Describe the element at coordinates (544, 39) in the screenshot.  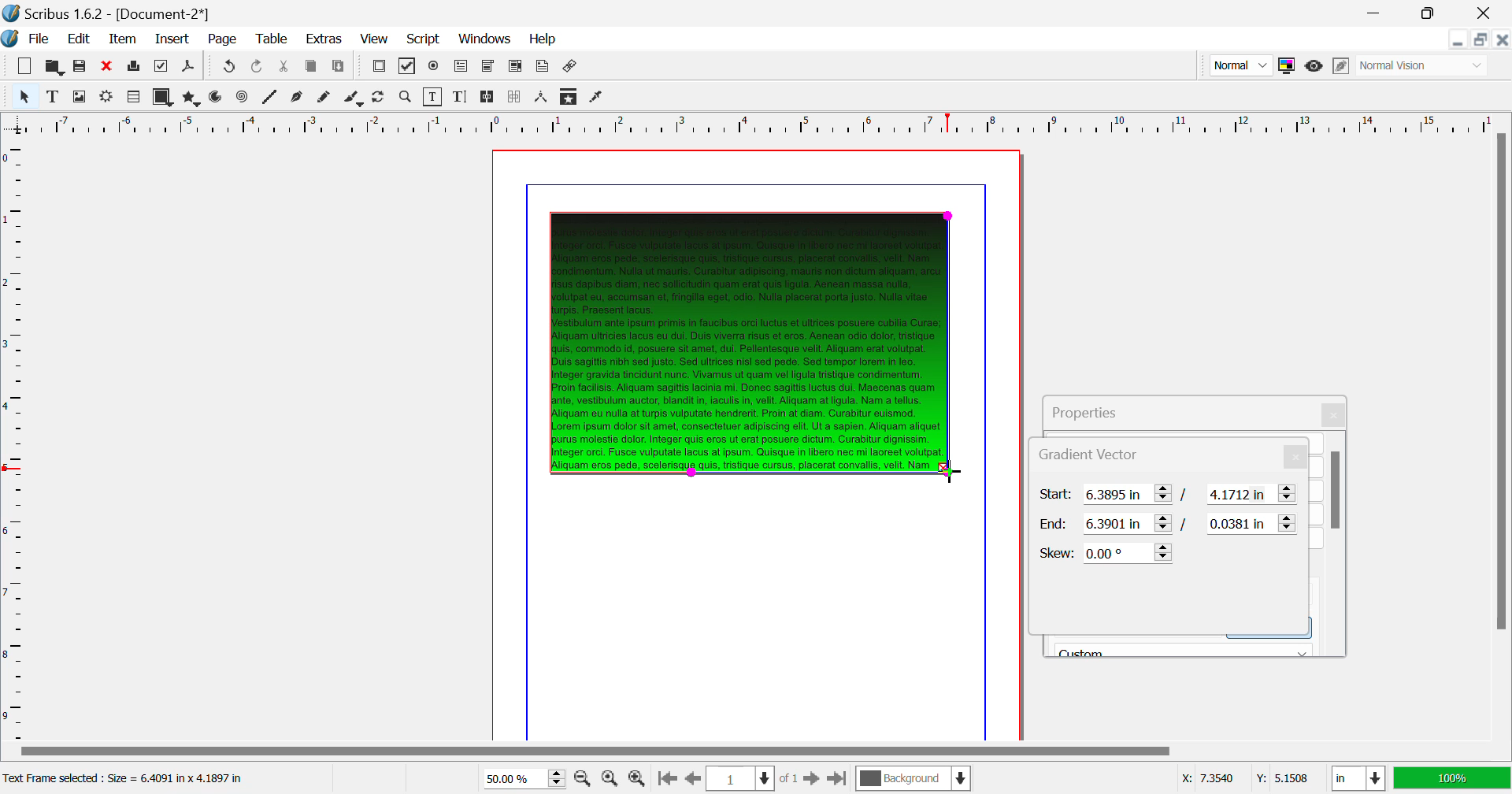
I see `Help` at that location.